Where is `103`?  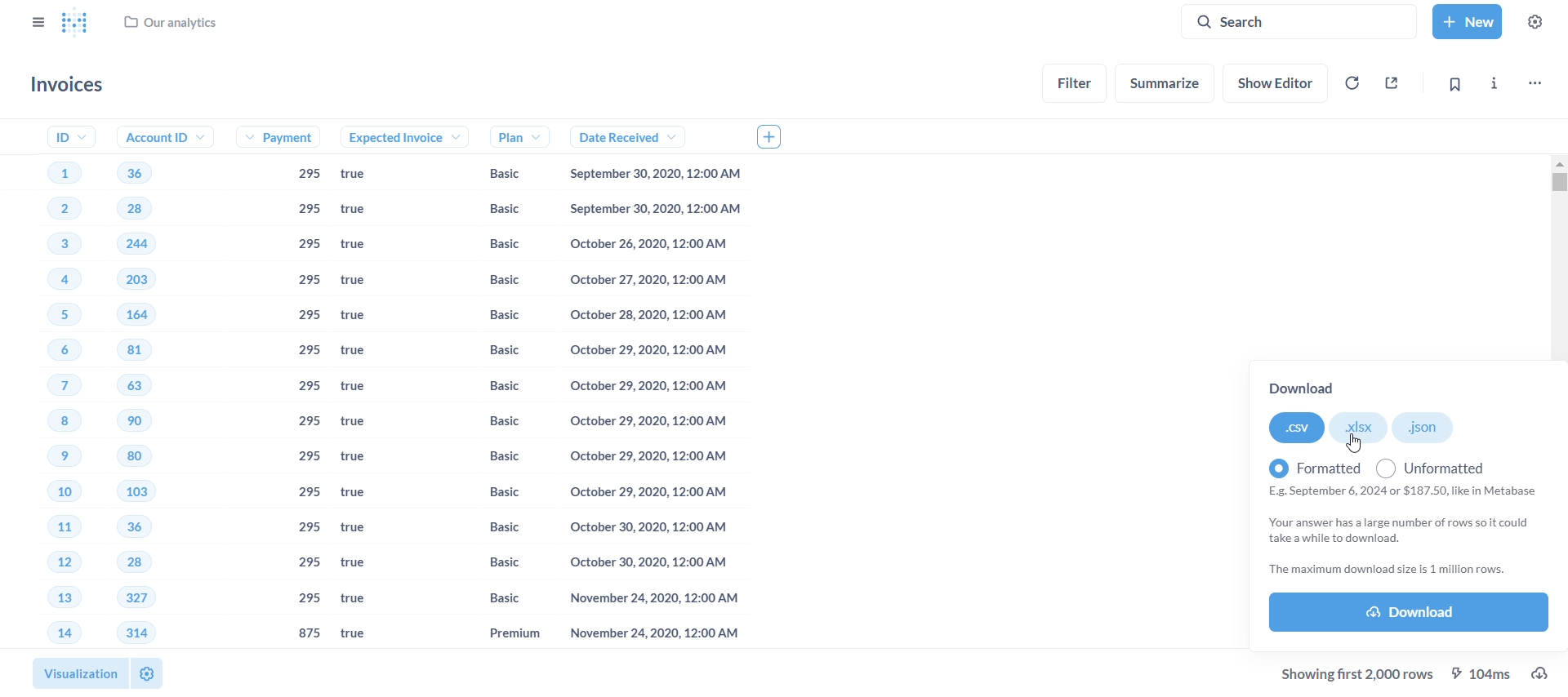 103 is located at coordinates (140, 492).